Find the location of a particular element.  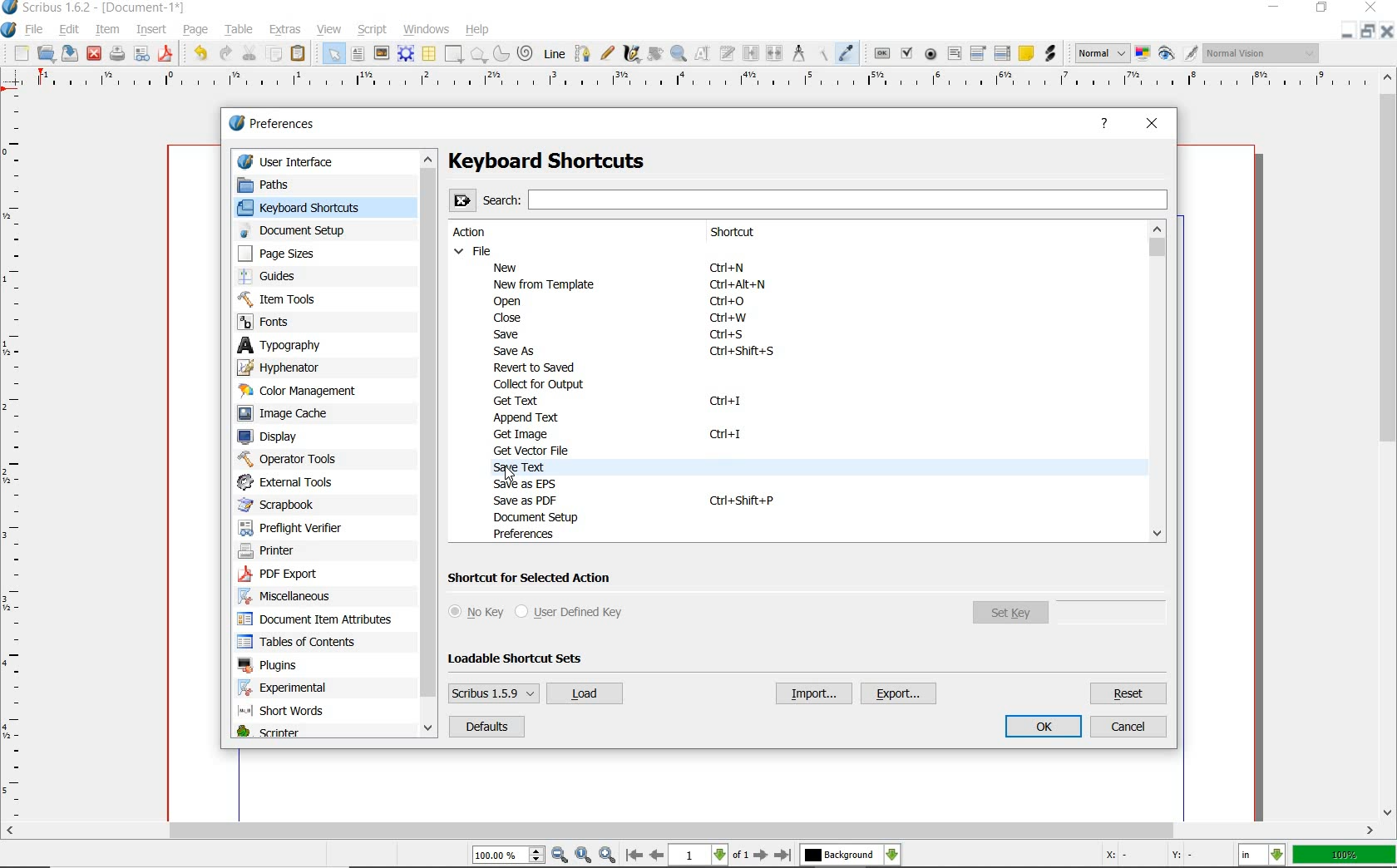

pdf check box is located at coordinates (906, 52).